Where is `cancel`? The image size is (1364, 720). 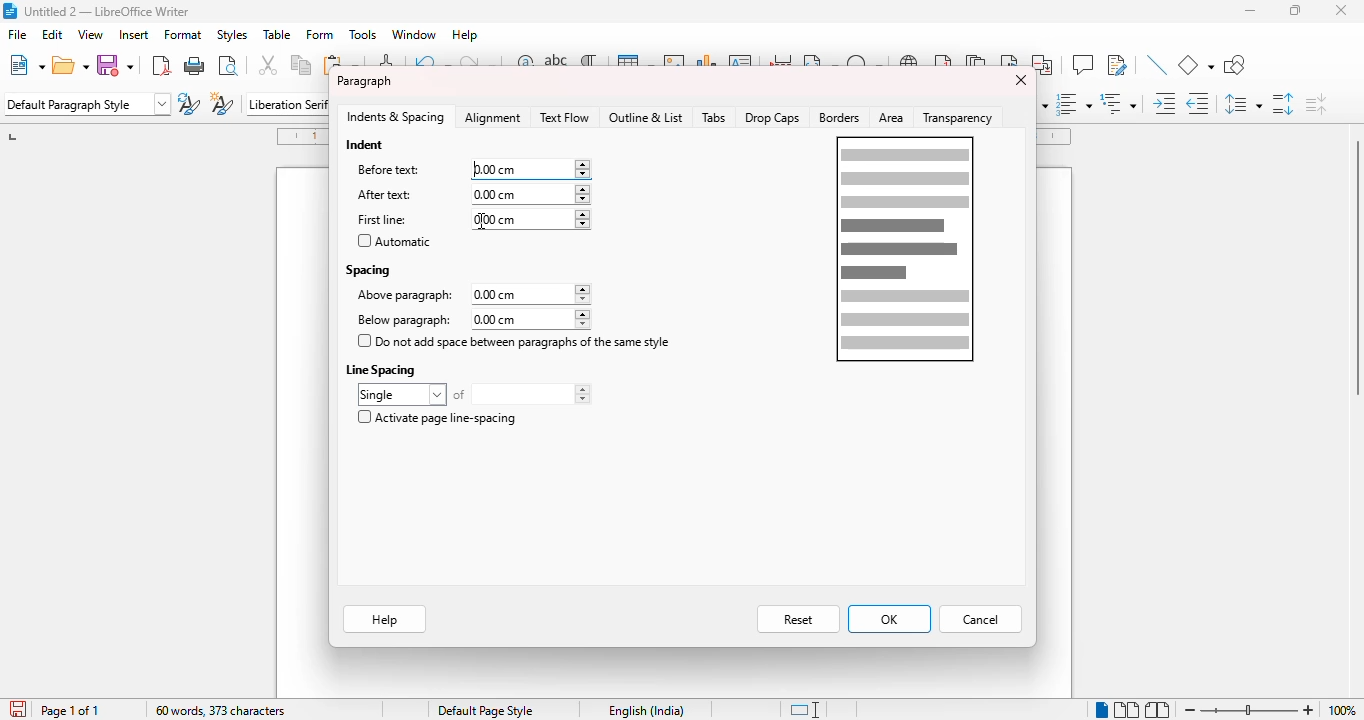
cancel is located at coordinates (981, 620).